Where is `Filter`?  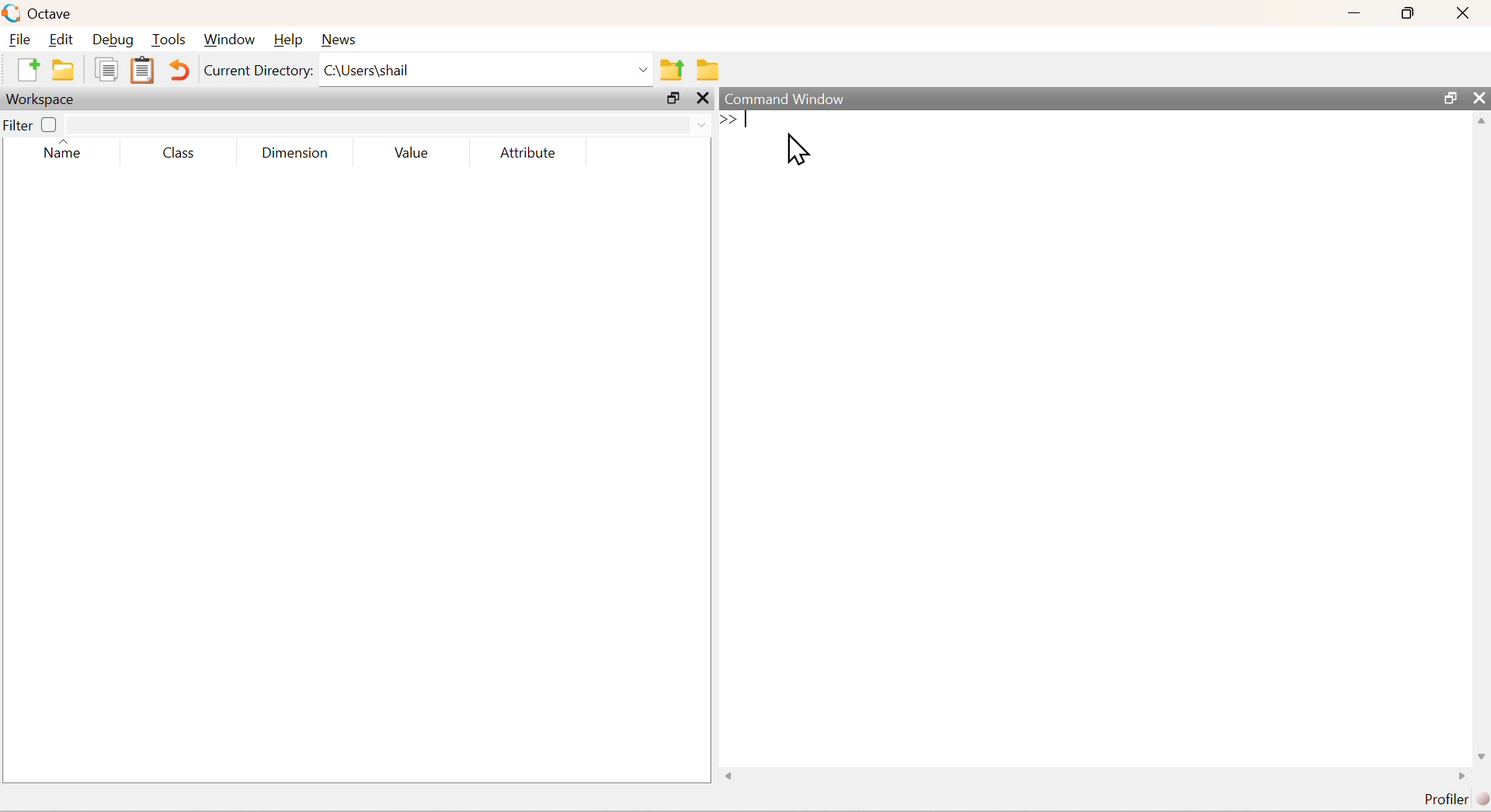 Filter is located at coordinates (18, 125).